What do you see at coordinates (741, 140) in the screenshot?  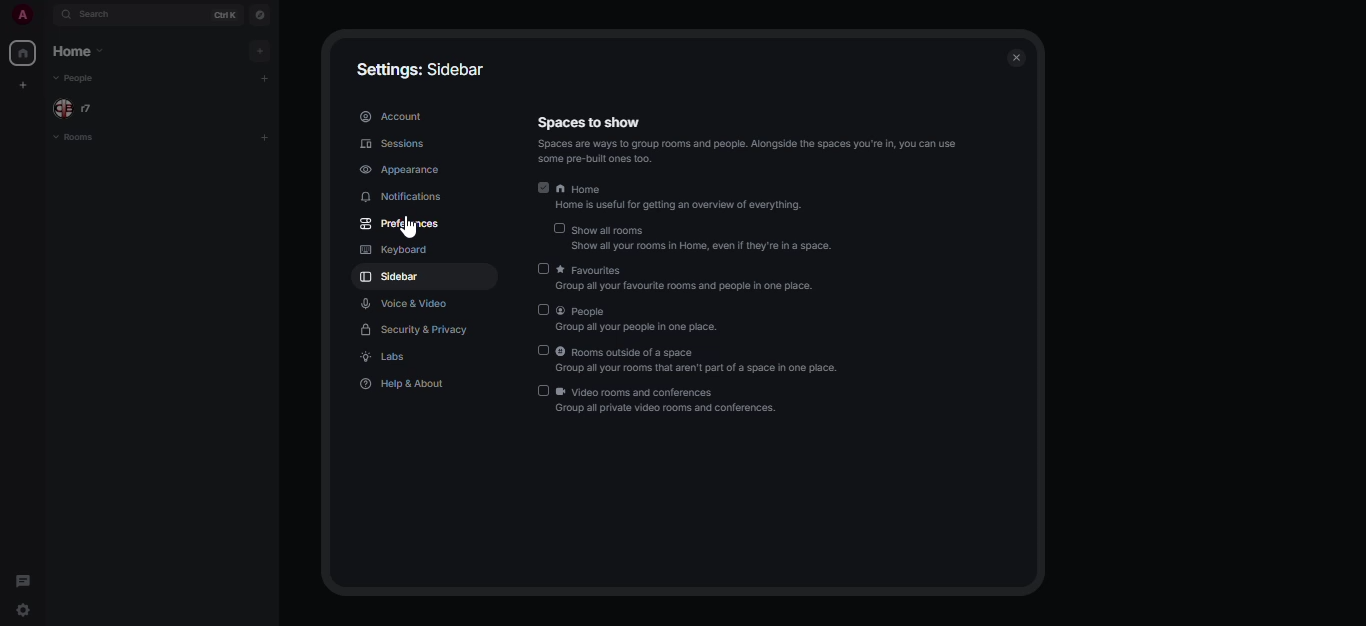 I see `‘Spaces to show
‘Spaces are ways 1o group rooms and peop.
nr Alongside the spaces you're n, you can use:` at bounding box center [741, 140].